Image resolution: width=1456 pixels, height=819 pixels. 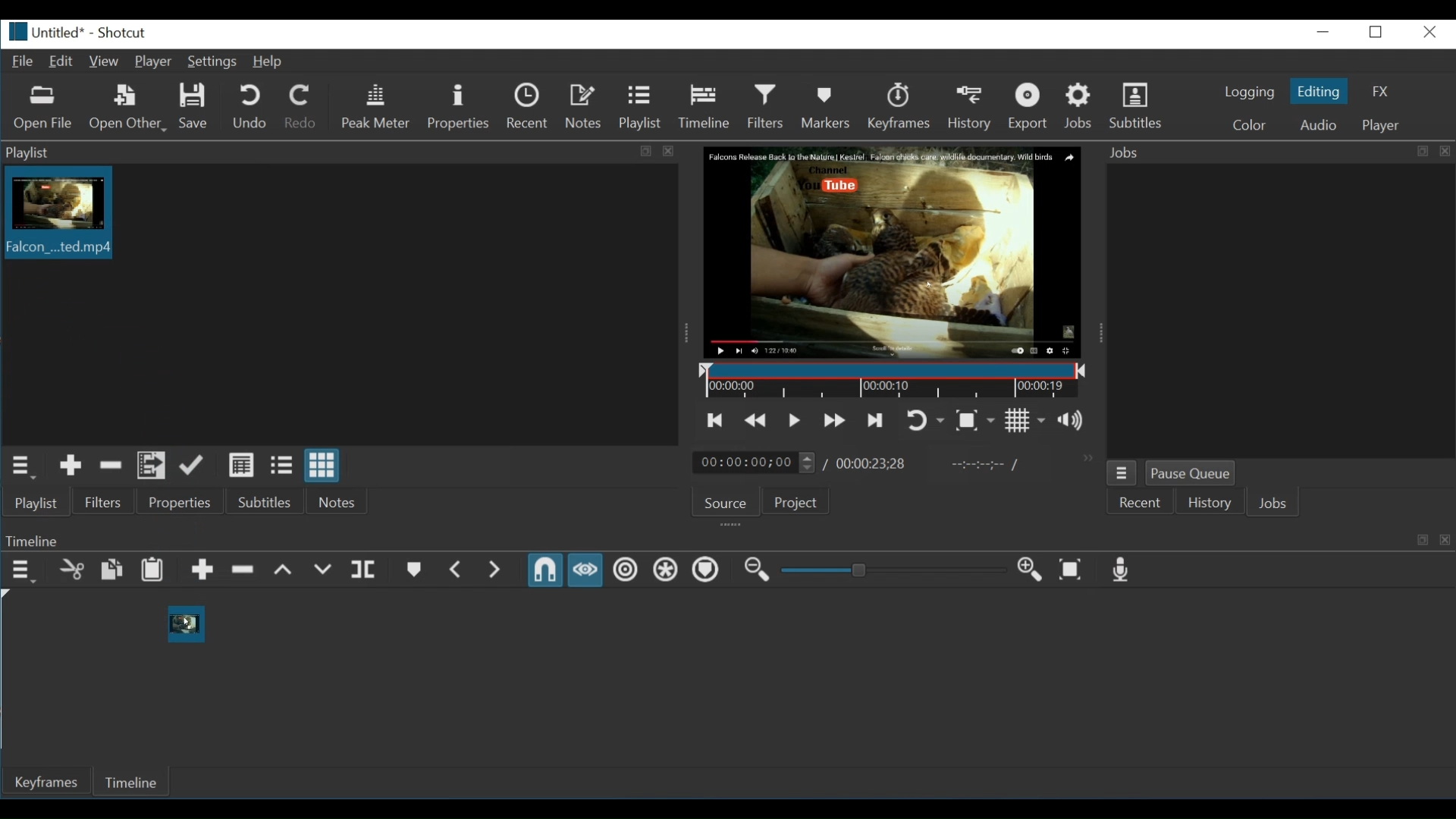 What do you see at coordinates (153, 62) in the screenshot?
I see `Player` at bounding box center [153, 62].